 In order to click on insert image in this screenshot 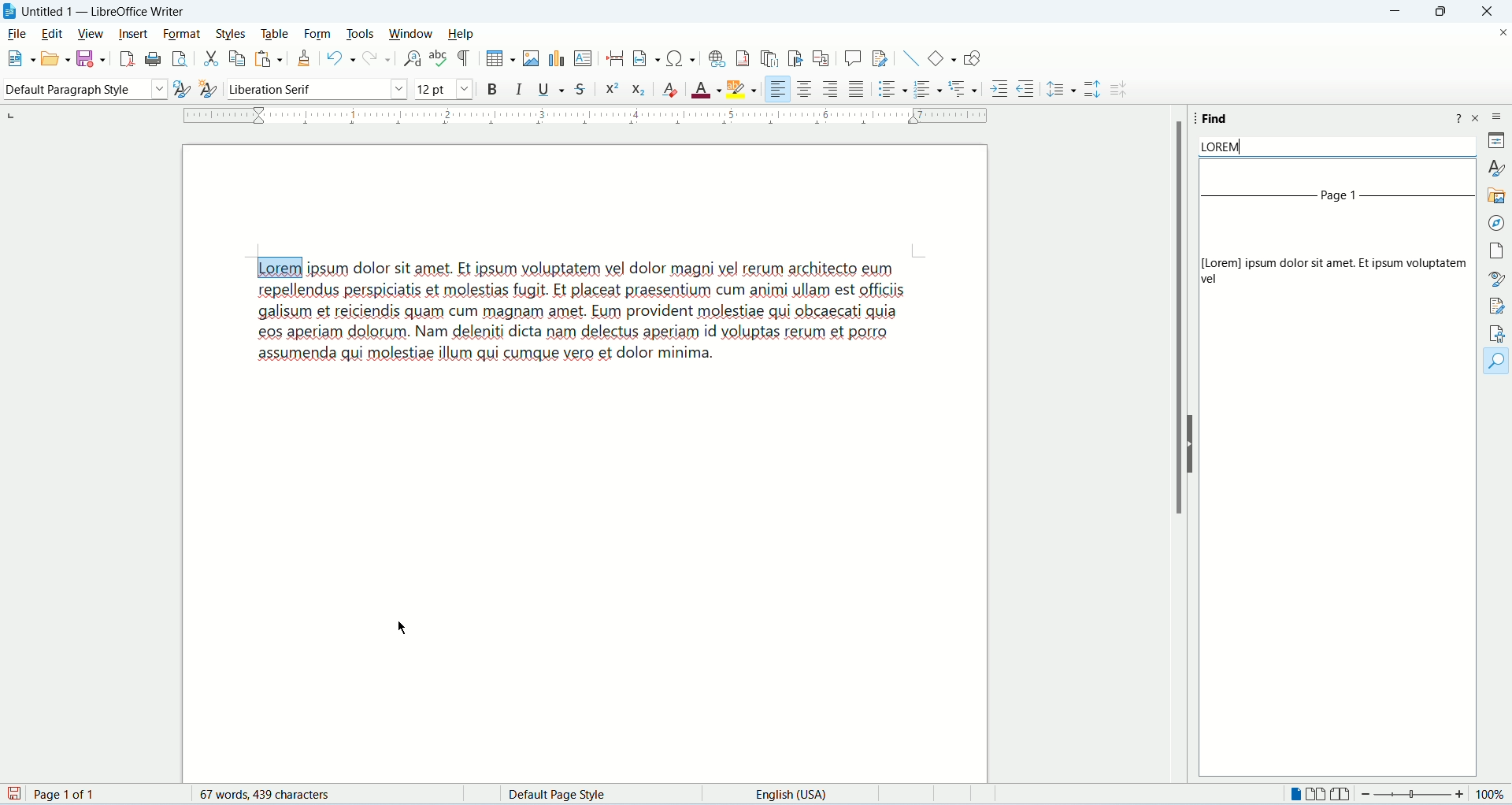, I will do `click(530, 57)`.